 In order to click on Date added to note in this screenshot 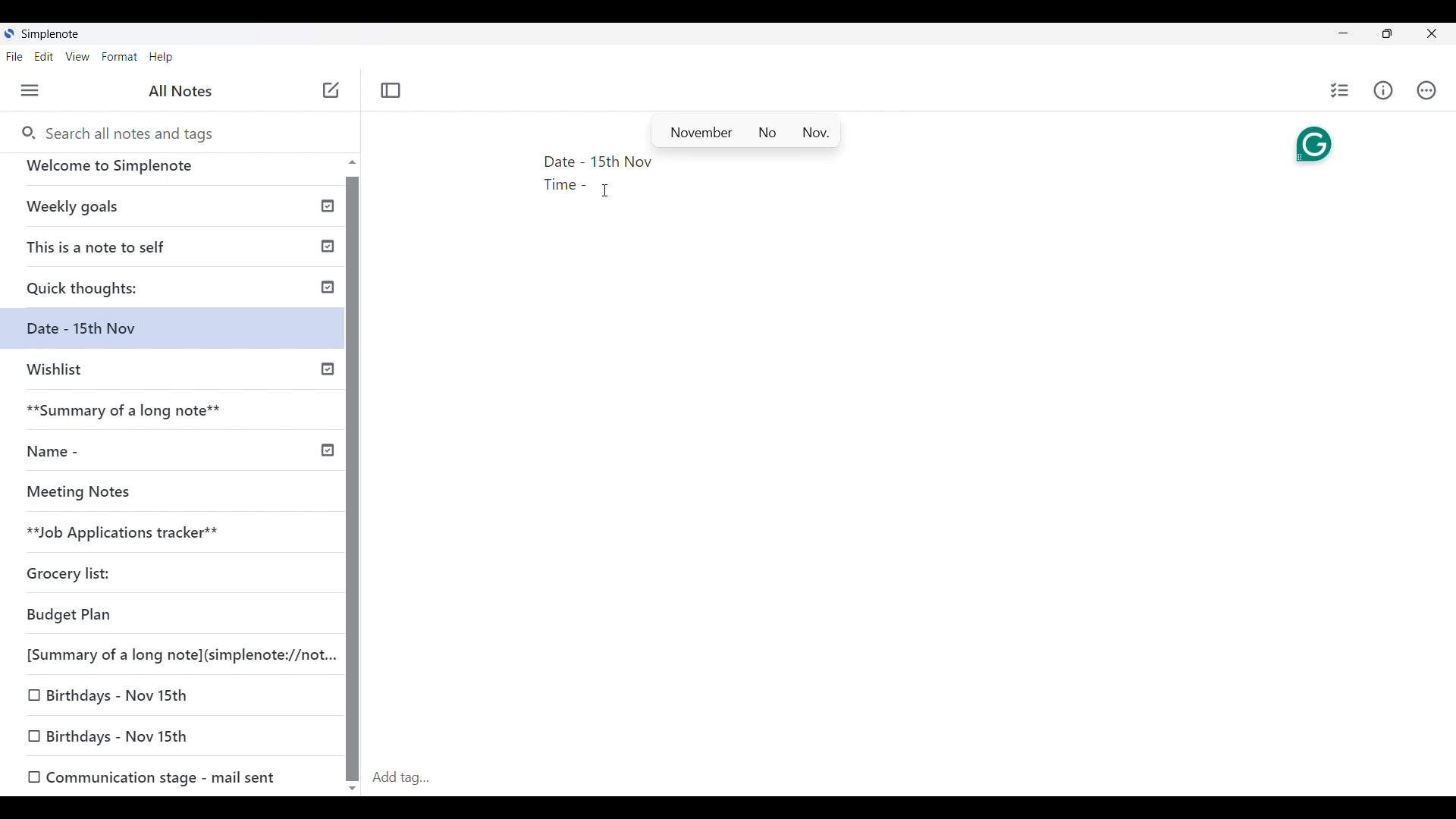, I will do `click(622, 162)`.